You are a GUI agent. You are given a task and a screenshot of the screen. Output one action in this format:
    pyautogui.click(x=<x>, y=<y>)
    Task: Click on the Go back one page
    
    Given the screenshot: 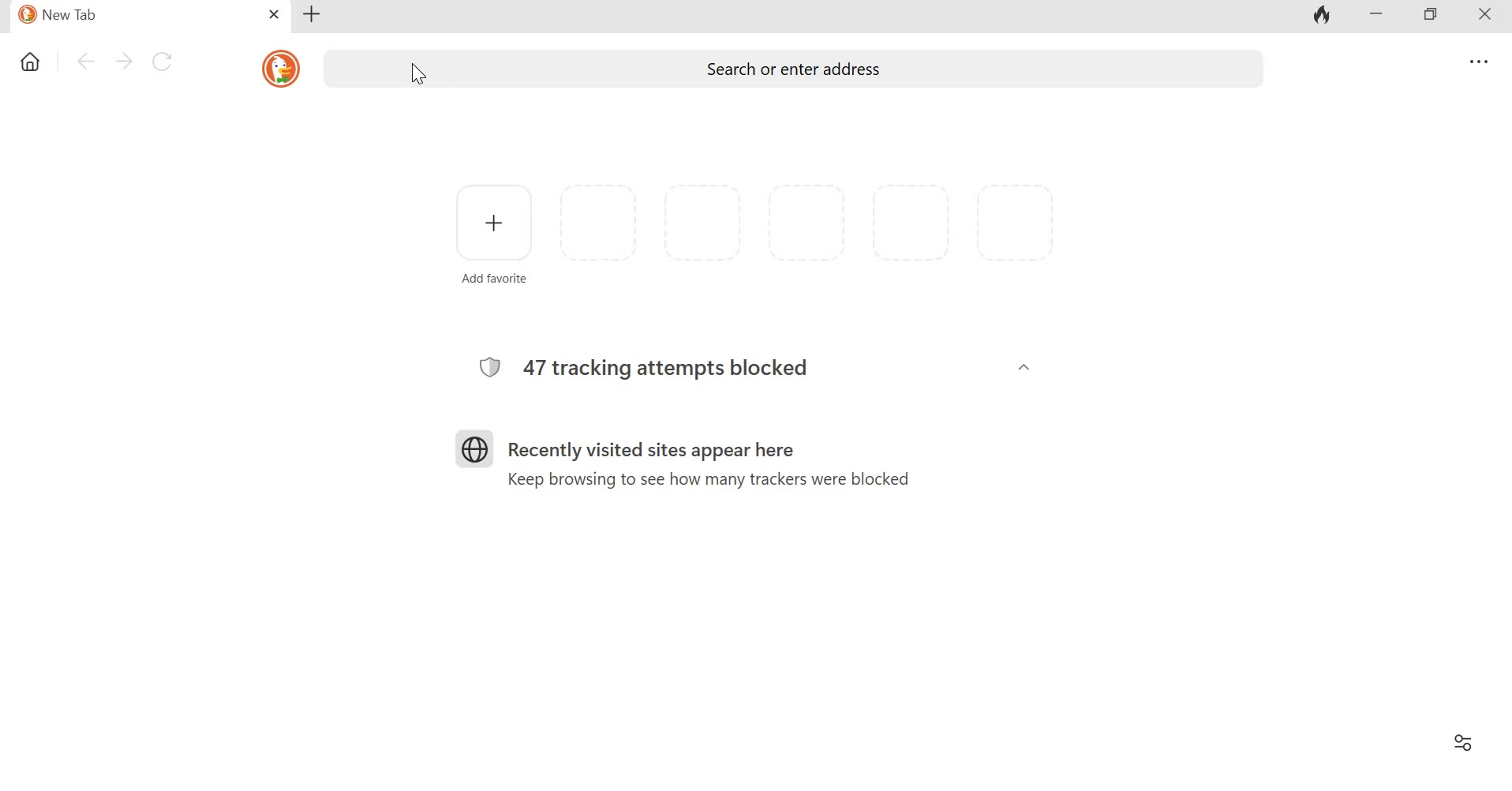 What is the action you would take?
    pyautogui.click(x=84, y=62)
    